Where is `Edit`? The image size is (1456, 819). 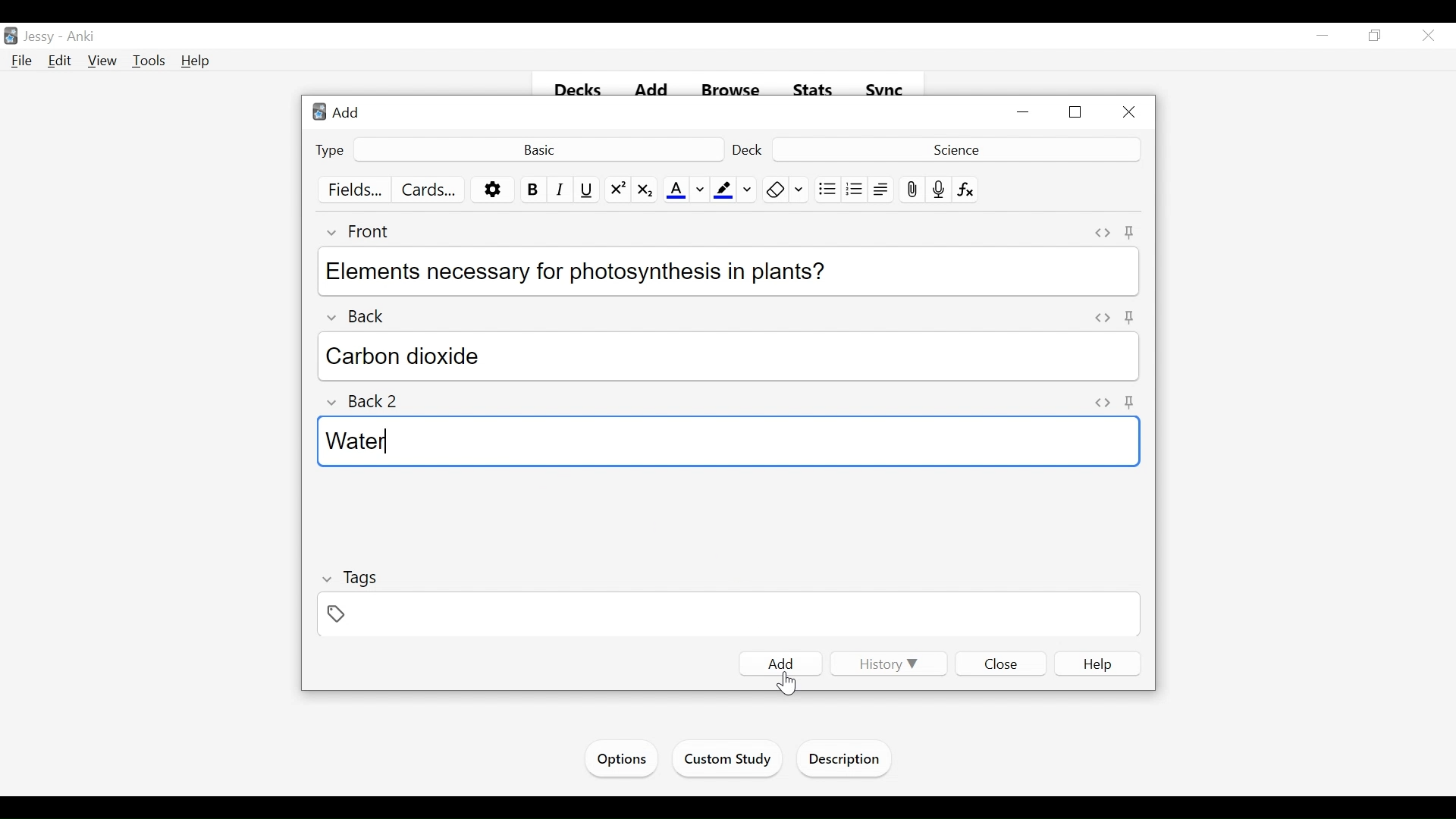
Edit is located at coordinates (60, 60).